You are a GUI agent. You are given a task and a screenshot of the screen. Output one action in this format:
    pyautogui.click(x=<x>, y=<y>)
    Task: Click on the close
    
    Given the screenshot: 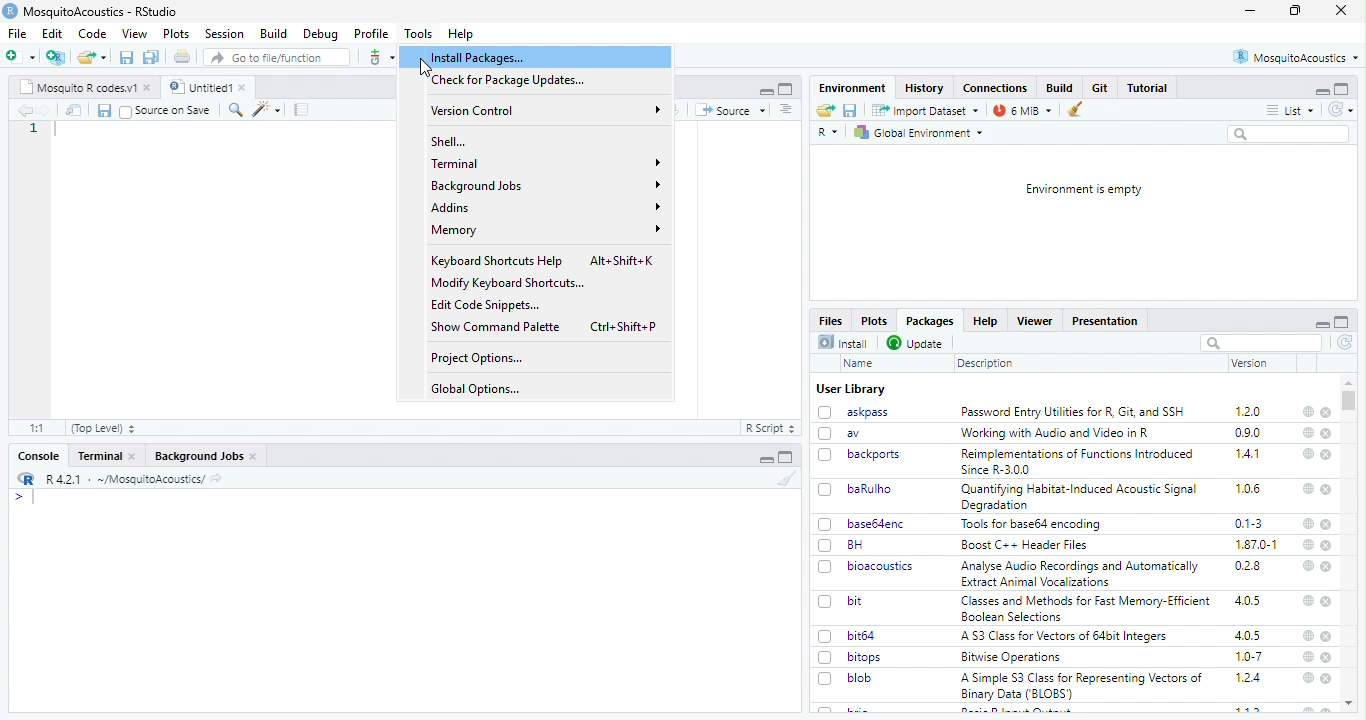 What is the action you would take?
    pyautogui.click(x=1326, y=434)
    